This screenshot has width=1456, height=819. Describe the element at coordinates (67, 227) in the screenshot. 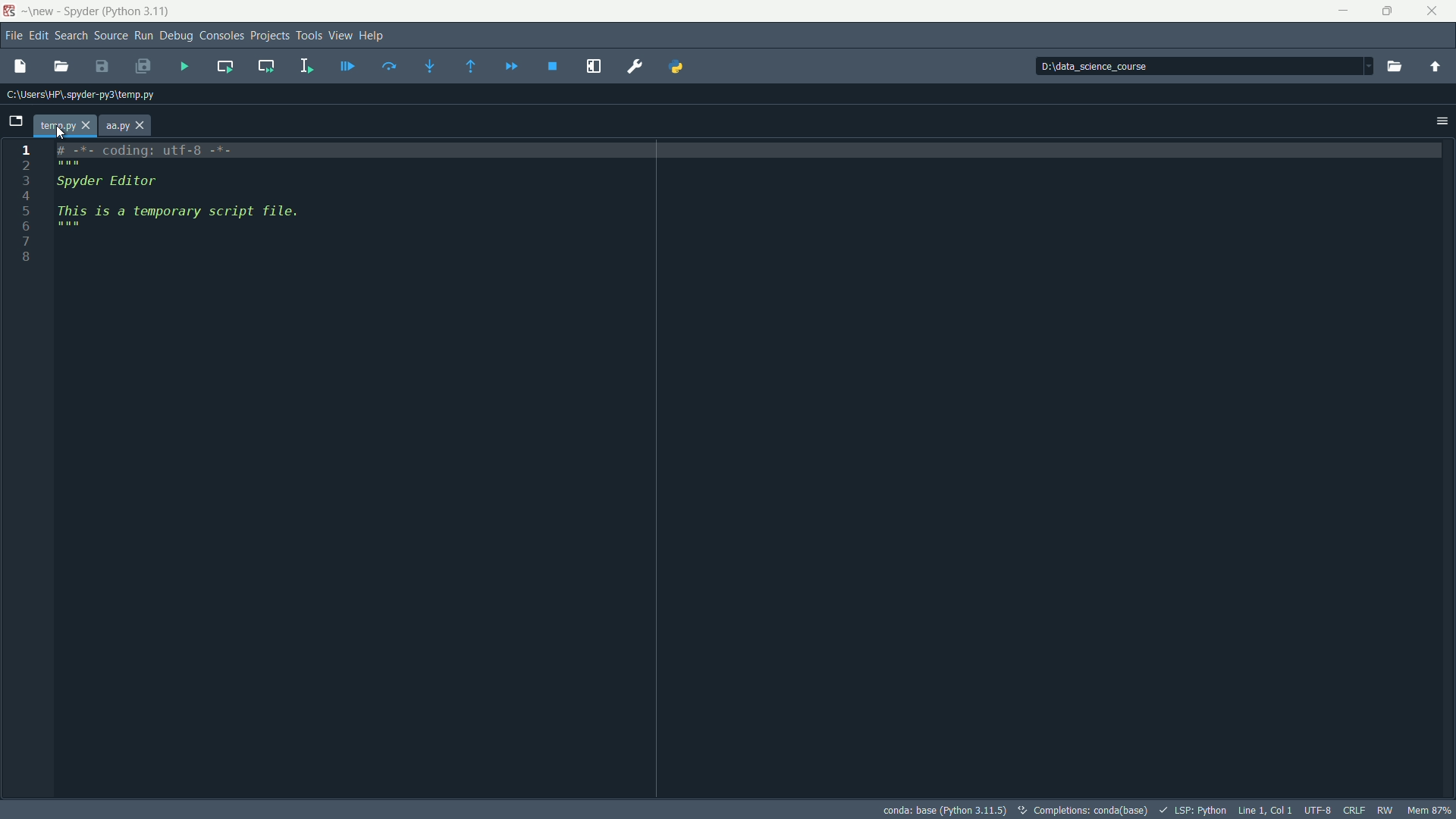

I see `6 ***` at that location.